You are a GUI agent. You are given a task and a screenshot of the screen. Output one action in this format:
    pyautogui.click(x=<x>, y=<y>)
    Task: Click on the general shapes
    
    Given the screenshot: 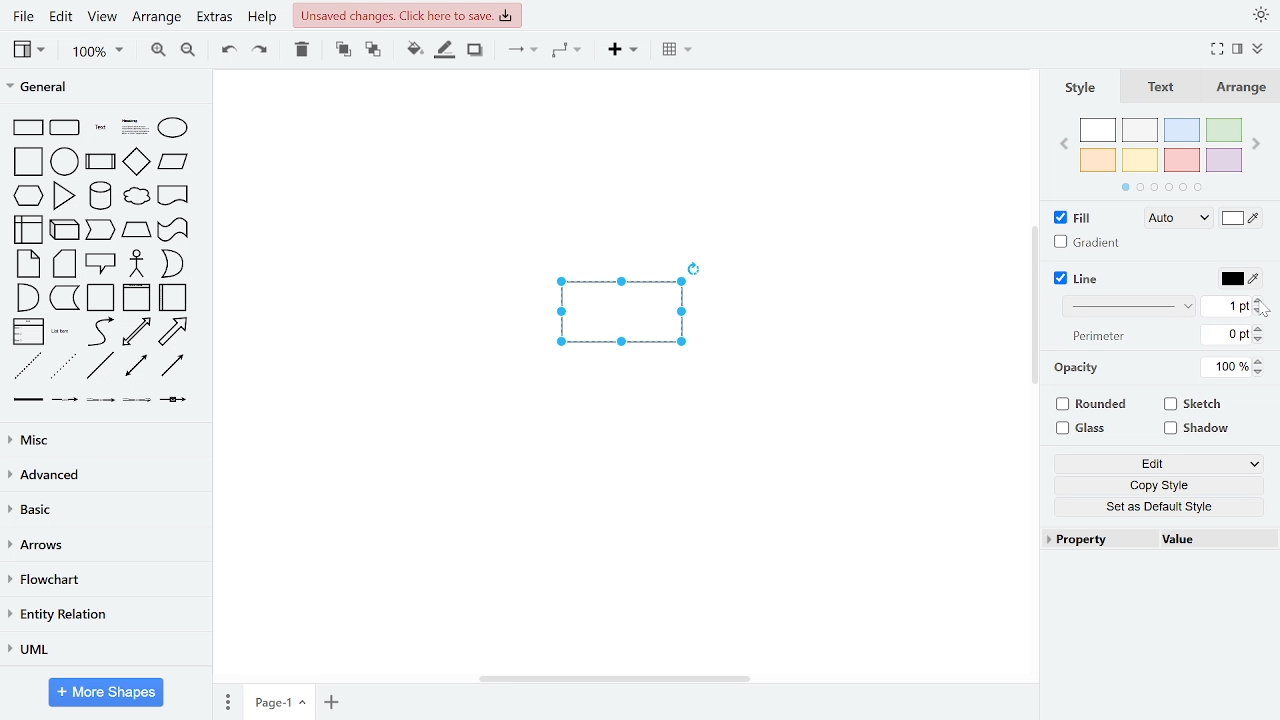 What is the action you would take?
    pyautogui.click(x=61, y=365)
    